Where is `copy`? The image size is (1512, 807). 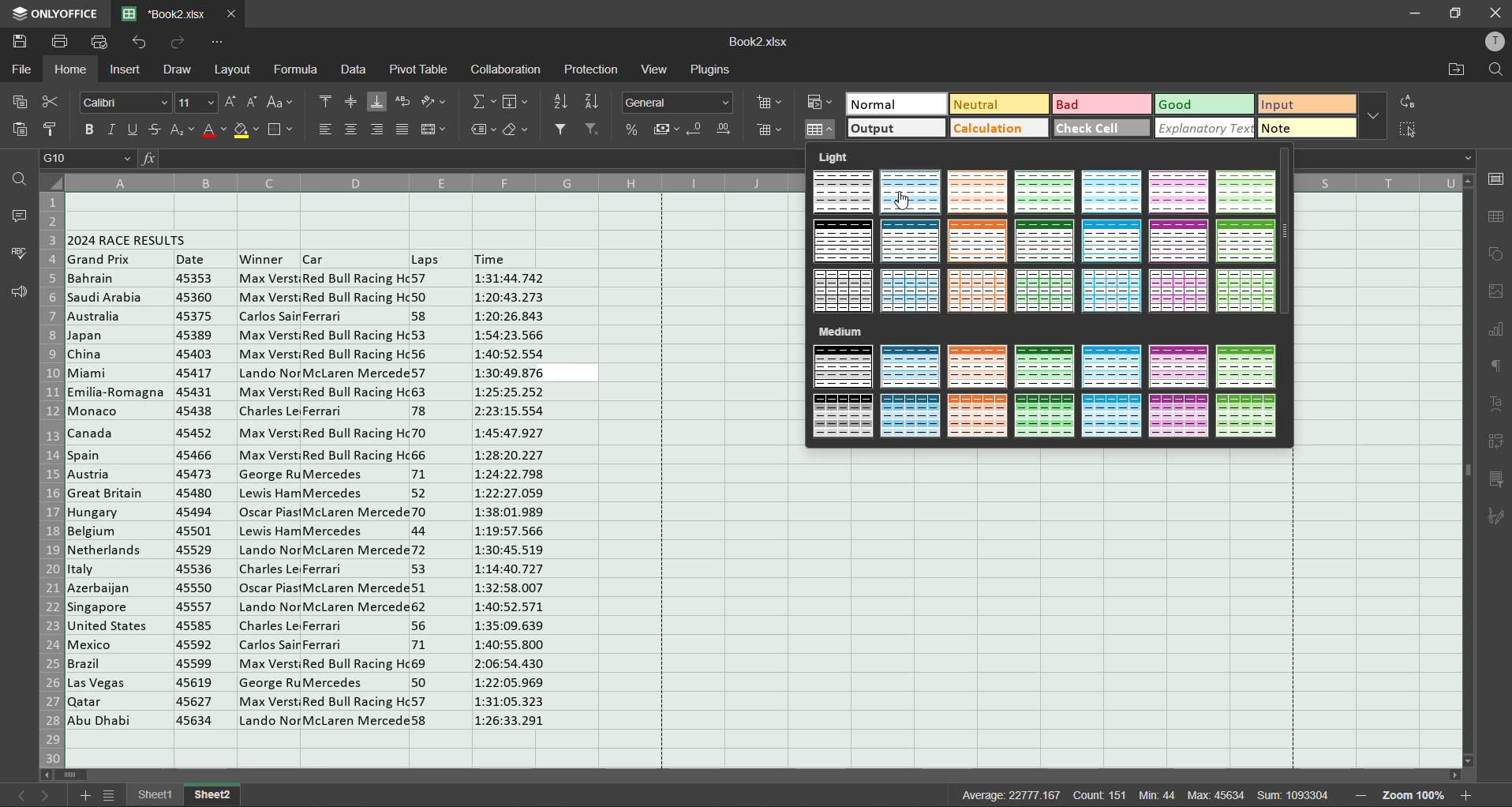 copy is located at coordinates (22, 103).